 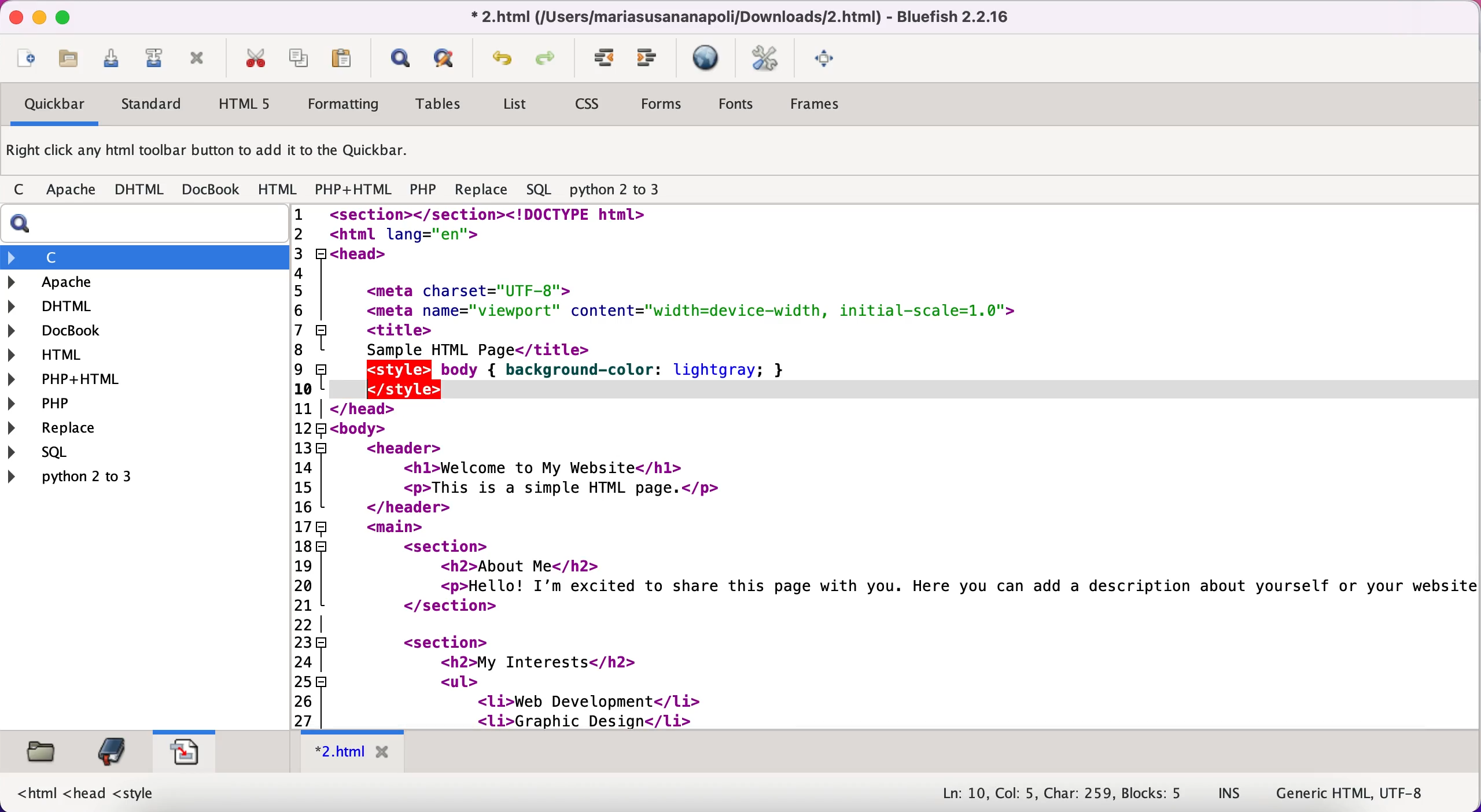 I want to click on open file , so click(x=74, y=62).